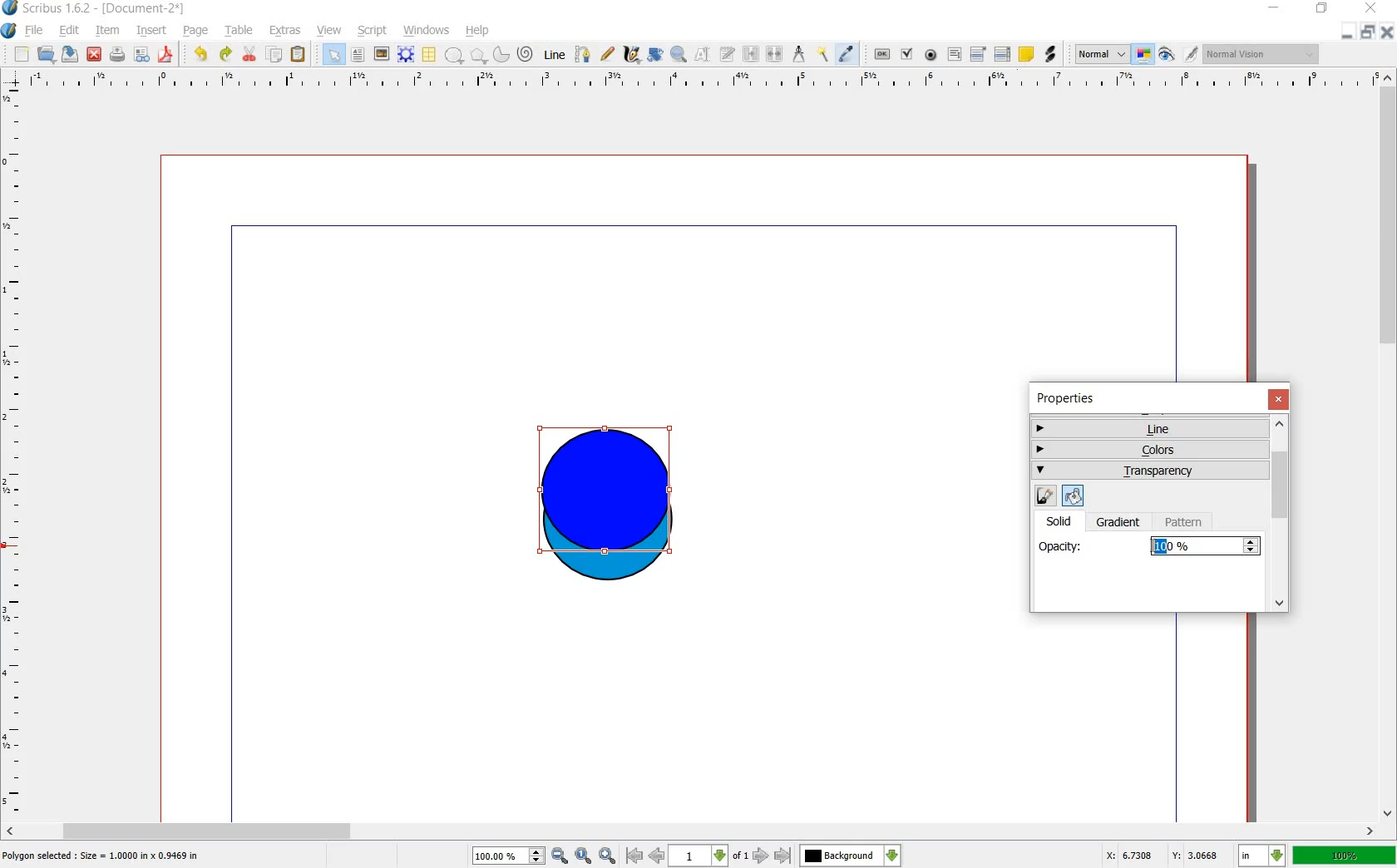 The height and width of the screenshot is (868, 1397). Describe the element at coordinates (333, 54) in the screenshot. I see `select item` at that location.